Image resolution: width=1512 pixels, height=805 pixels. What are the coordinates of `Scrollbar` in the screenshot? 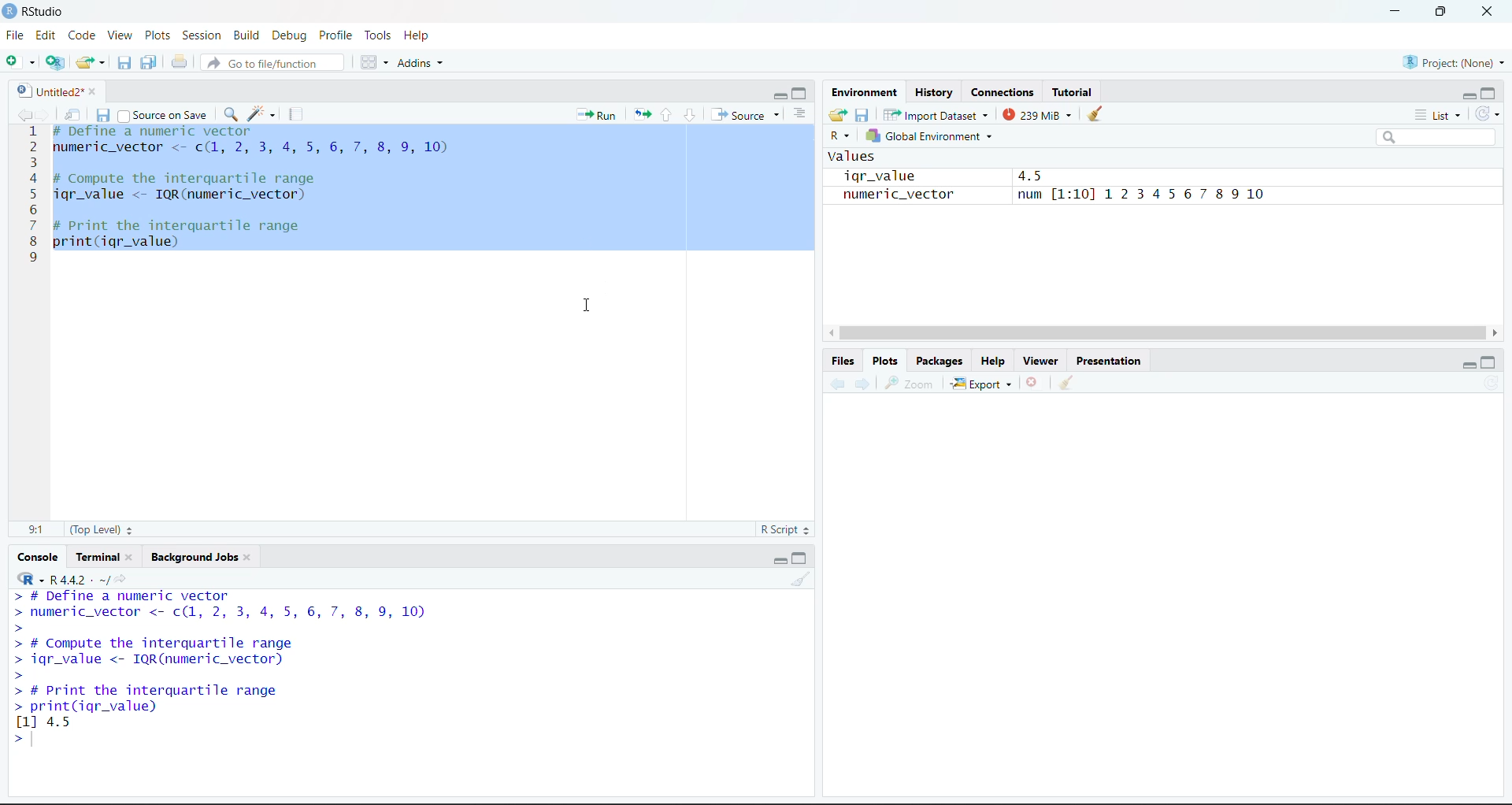 It's located at (1165, 331).